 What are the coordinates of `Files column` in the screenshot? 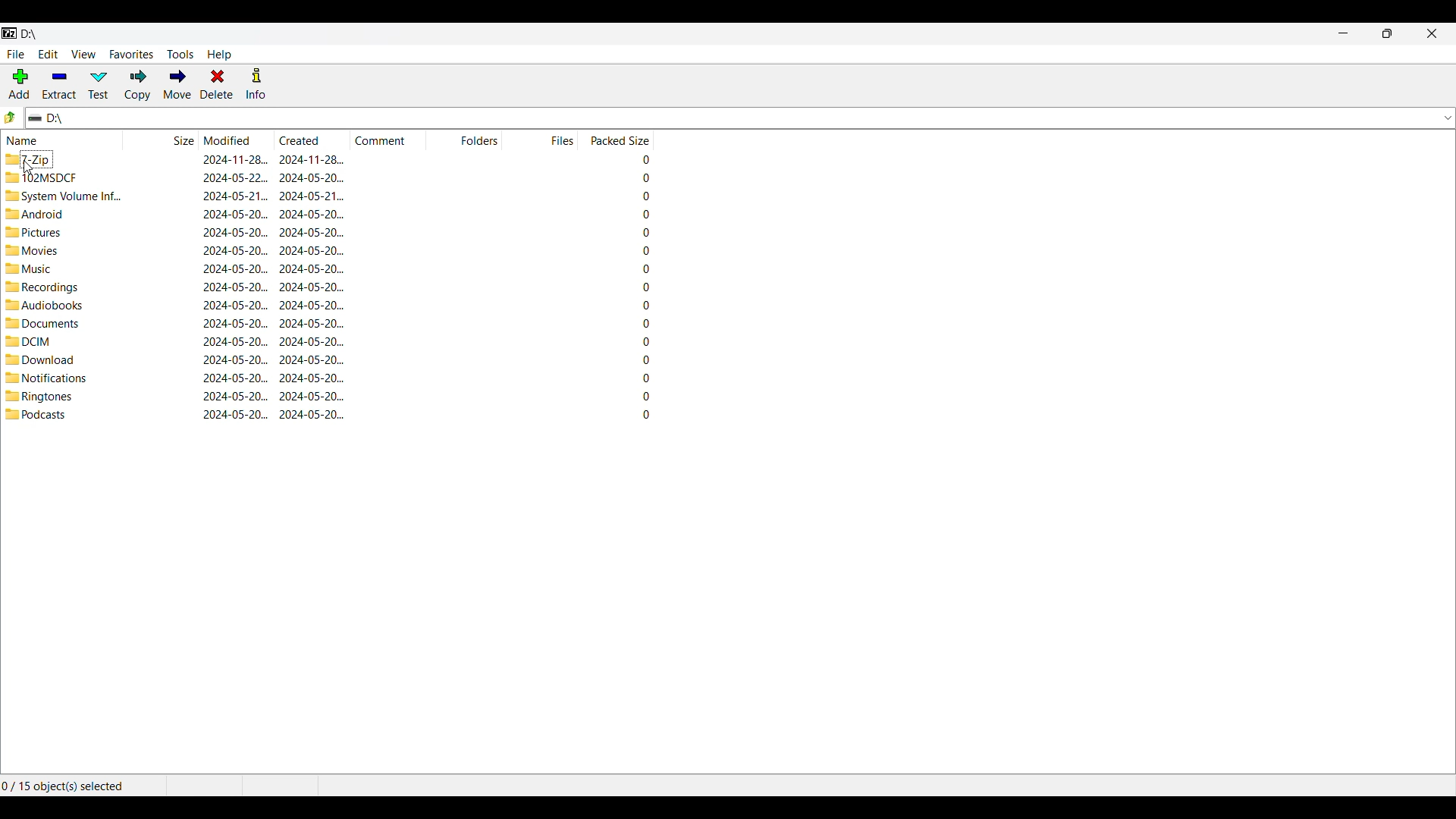 It's located at (540, 140).